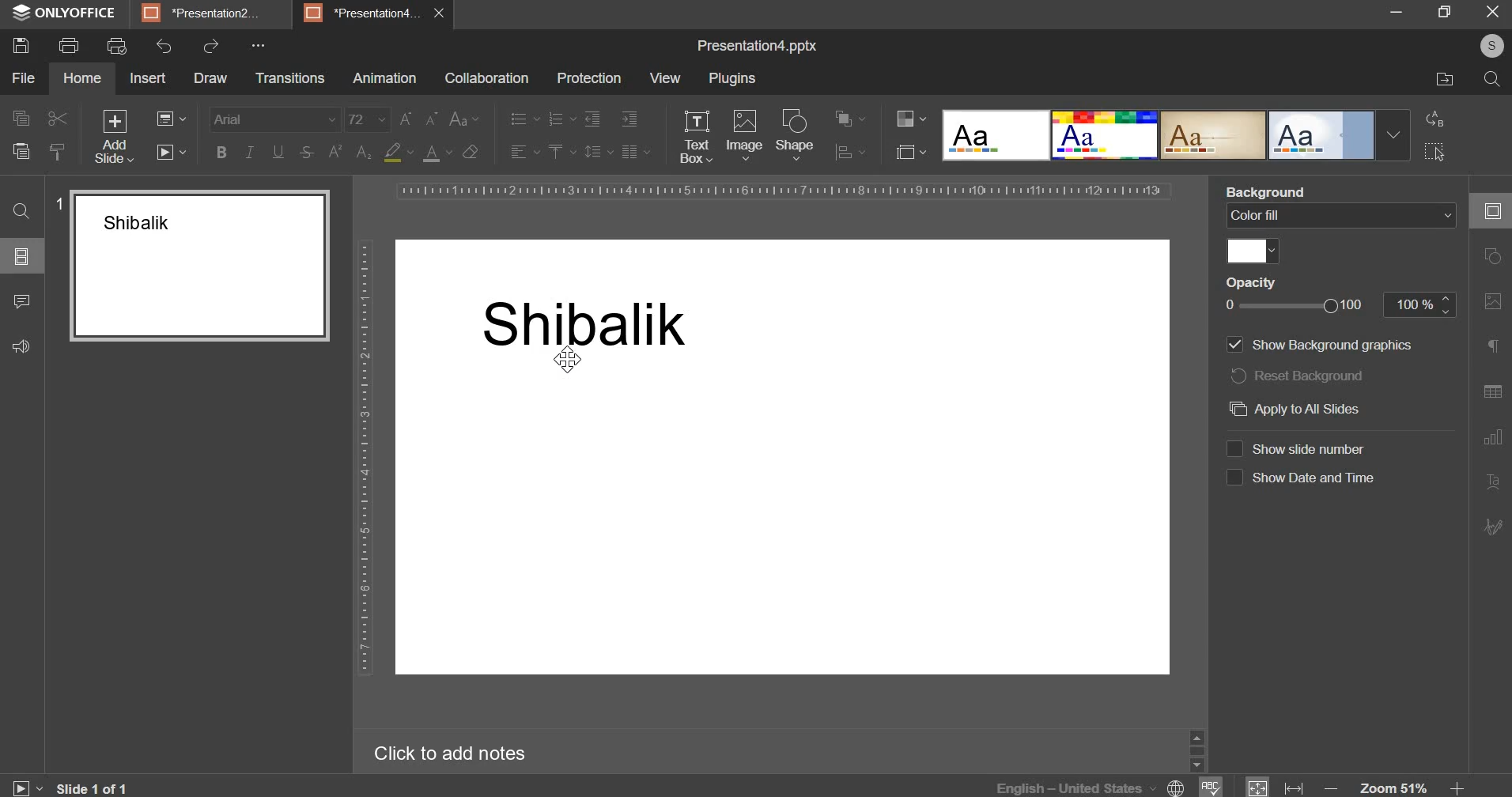 The image size is (1512, 797). What do you see at coordinates (1295, 786) in the screenshot?
I see `fit to width` at bounding box center [1295, 786].